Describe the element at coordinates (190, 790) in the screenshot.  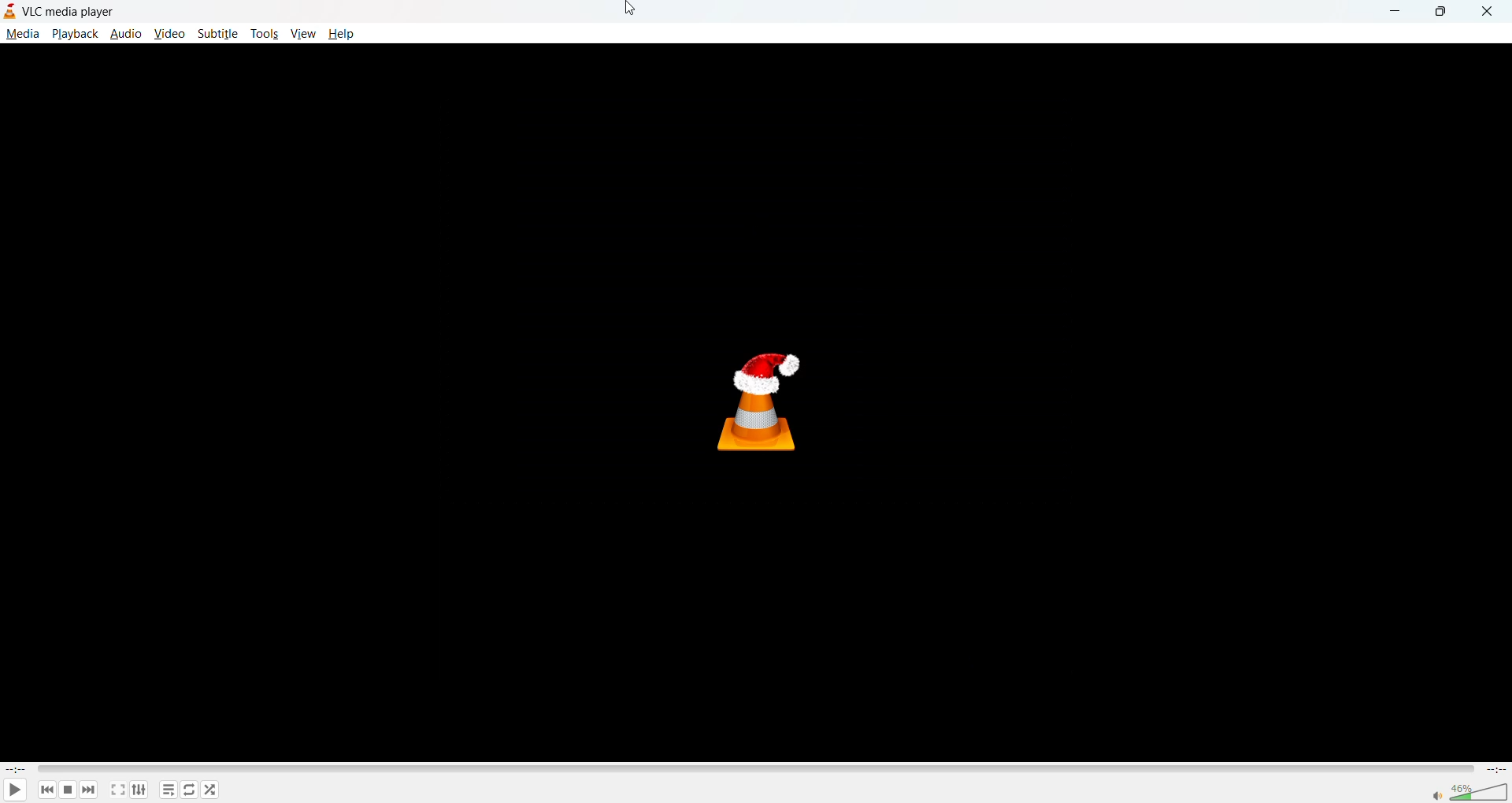
I see `loop` at that location.